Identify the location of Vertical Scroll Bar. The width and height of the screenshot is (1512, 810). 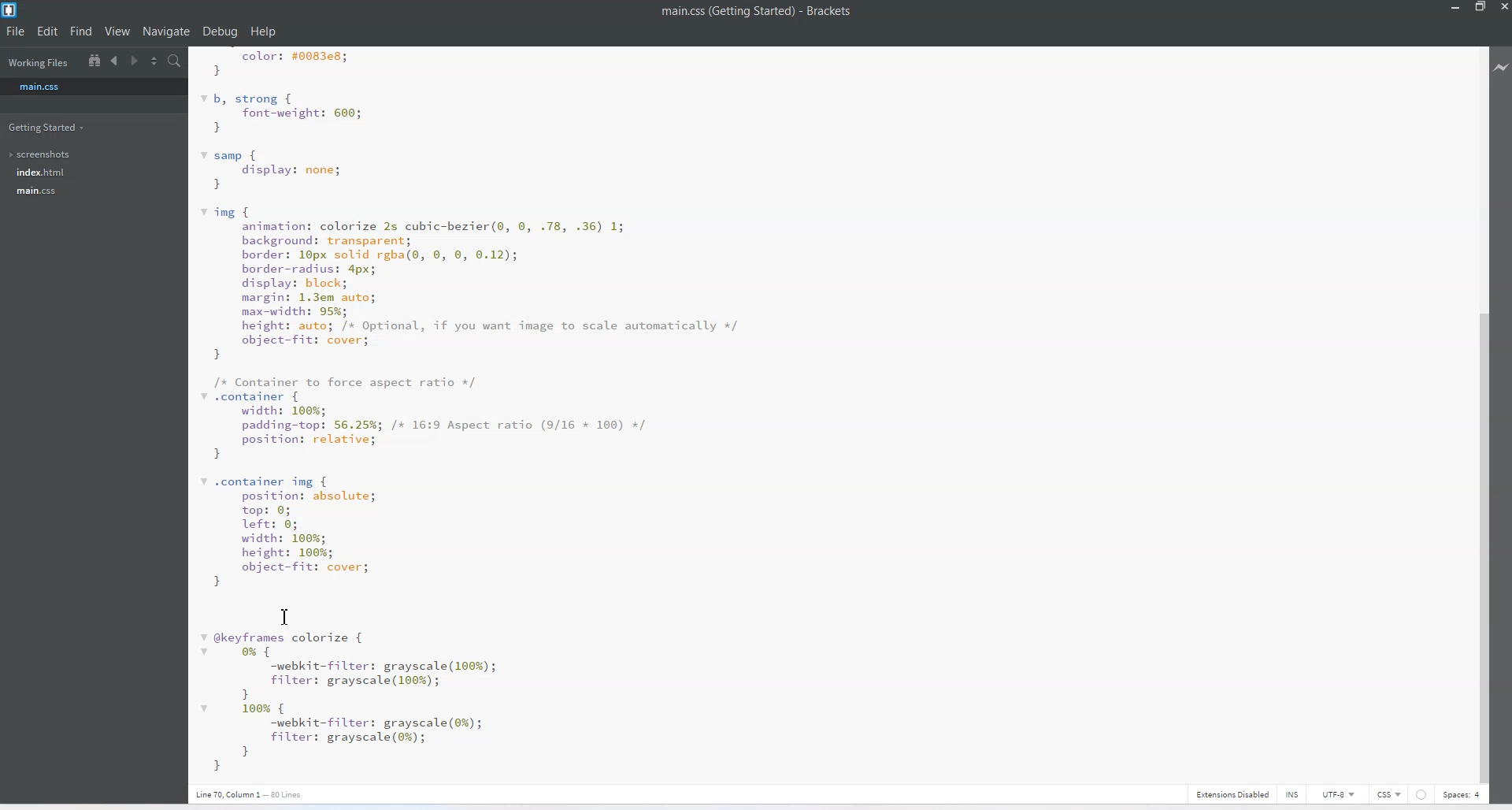
(1480, 412).